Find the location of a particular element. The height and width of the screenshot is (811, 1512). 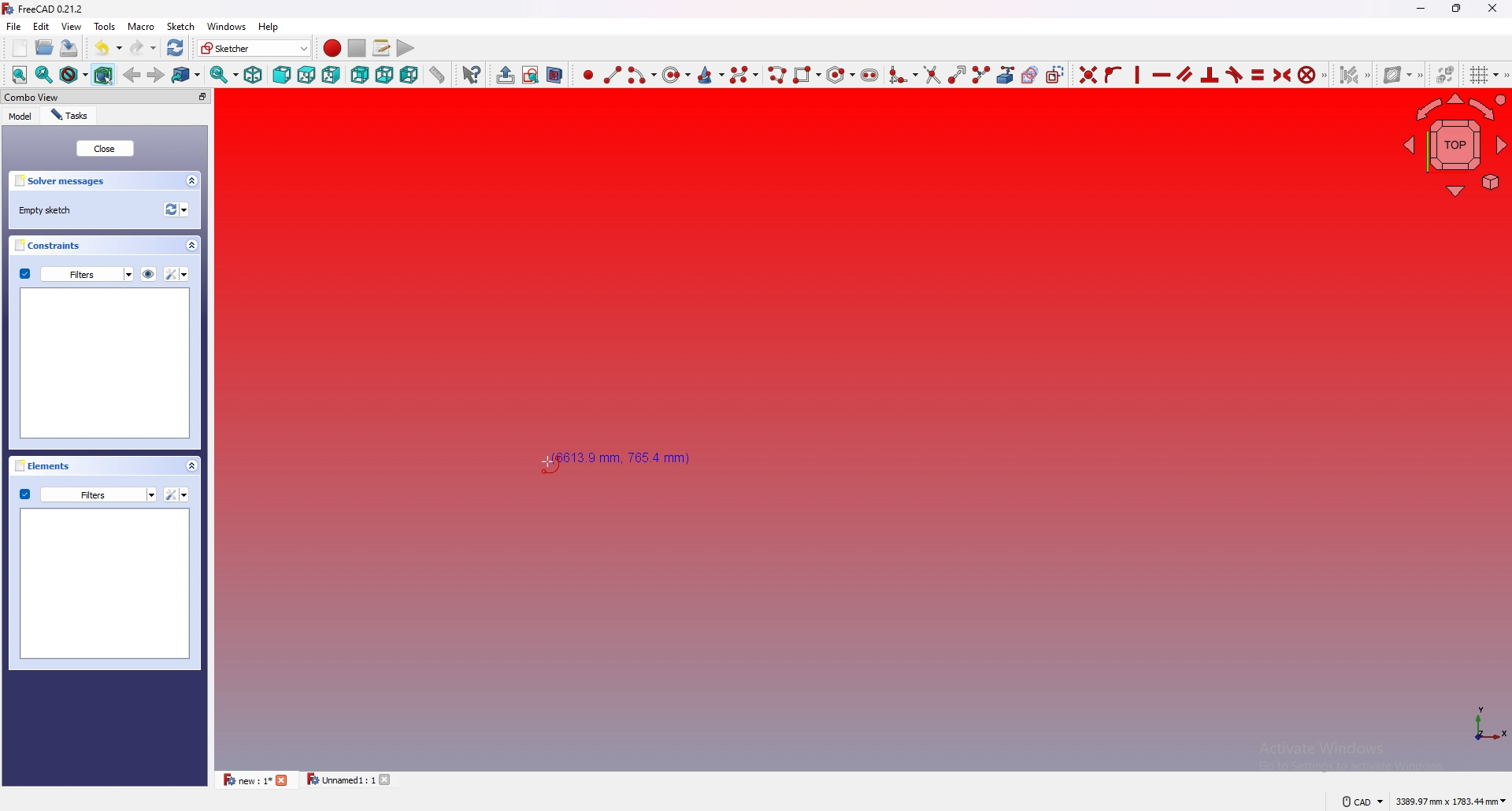

elements is located at coordinates (46, 465).